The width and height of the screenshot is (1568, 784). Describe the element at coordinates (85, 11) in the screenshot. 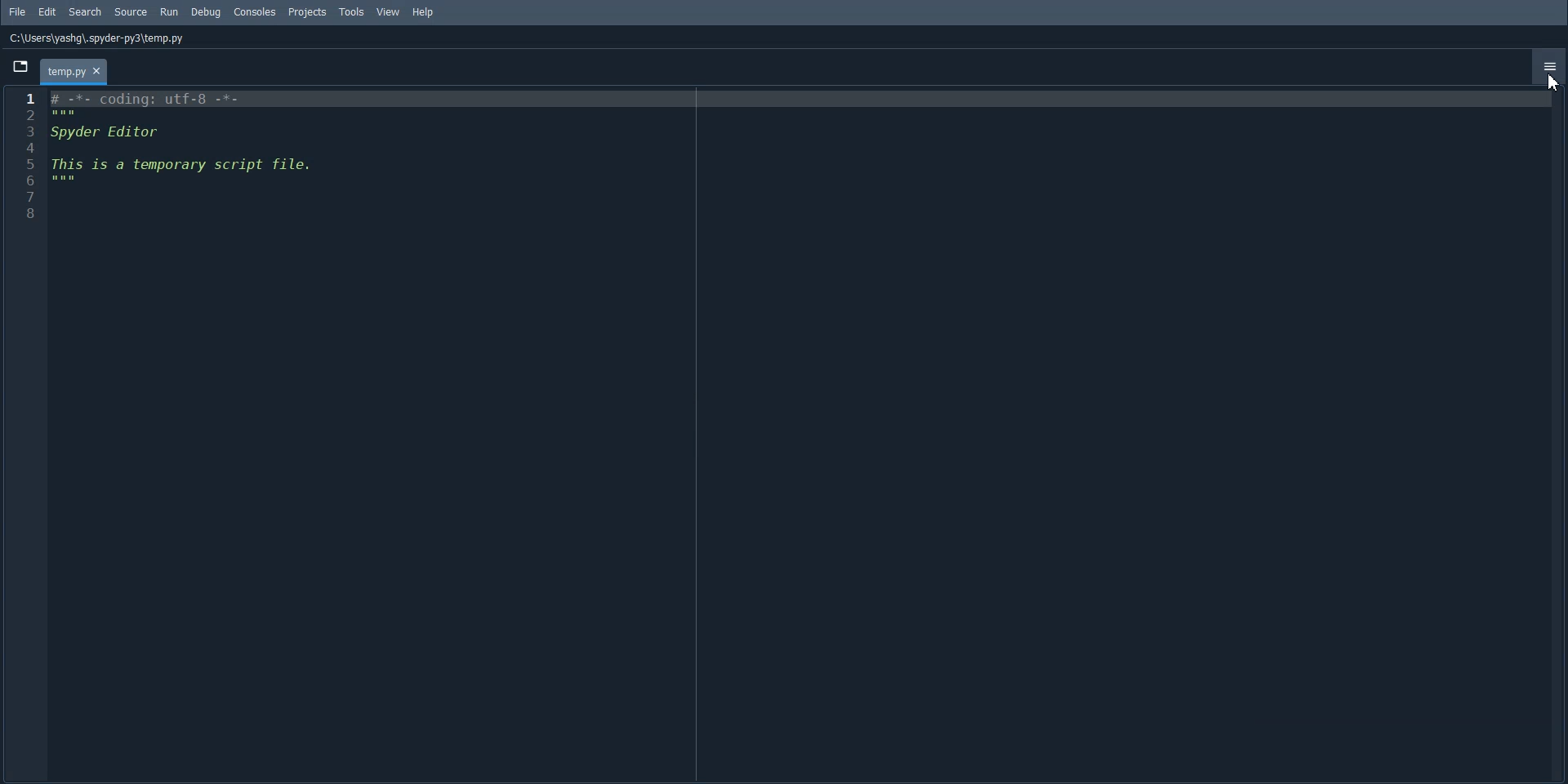

I see `Search` at that location.